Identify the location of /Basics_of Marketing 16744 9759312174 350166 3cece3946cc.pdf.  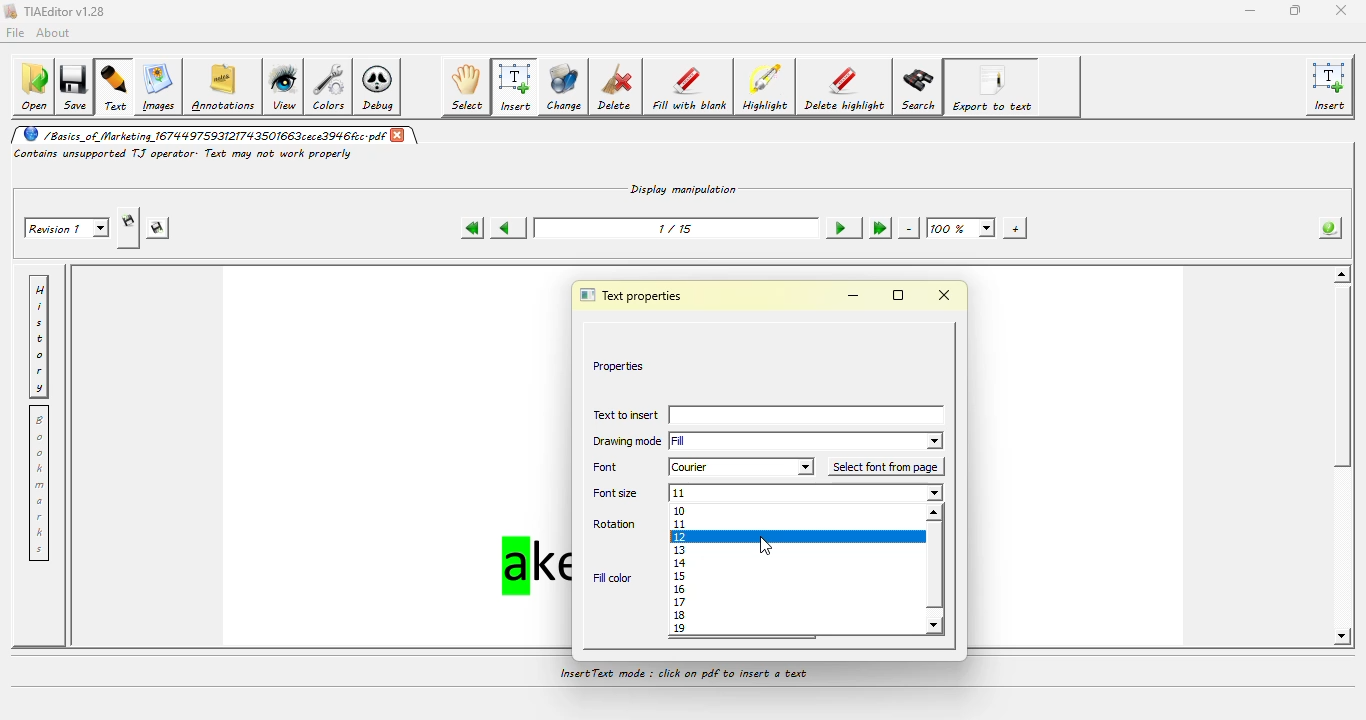
(201, 135).